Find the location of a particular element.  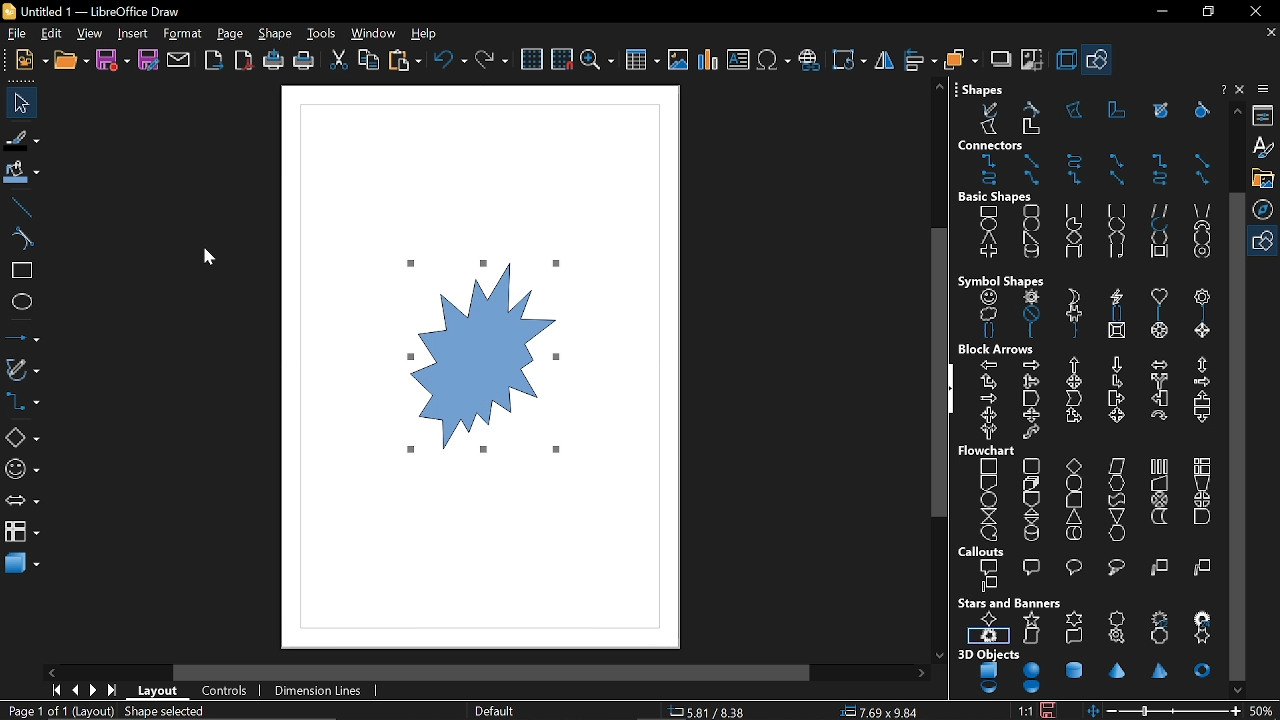

Close is located at coordinates (1221, 89).